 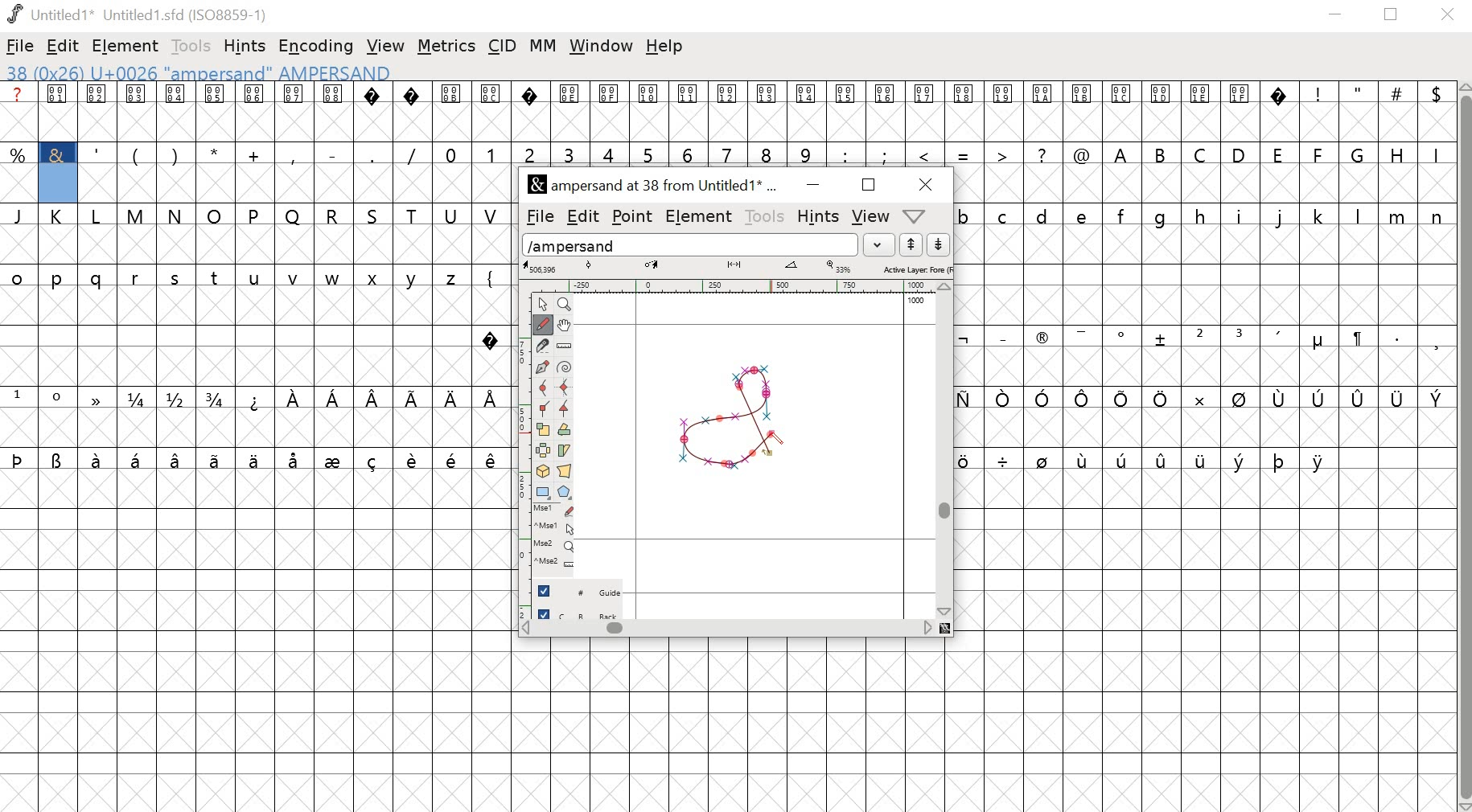 What do you see at coordinates (1336, 17) in the screenshot?
I see `minimize` at bounding box center [1336, 17].